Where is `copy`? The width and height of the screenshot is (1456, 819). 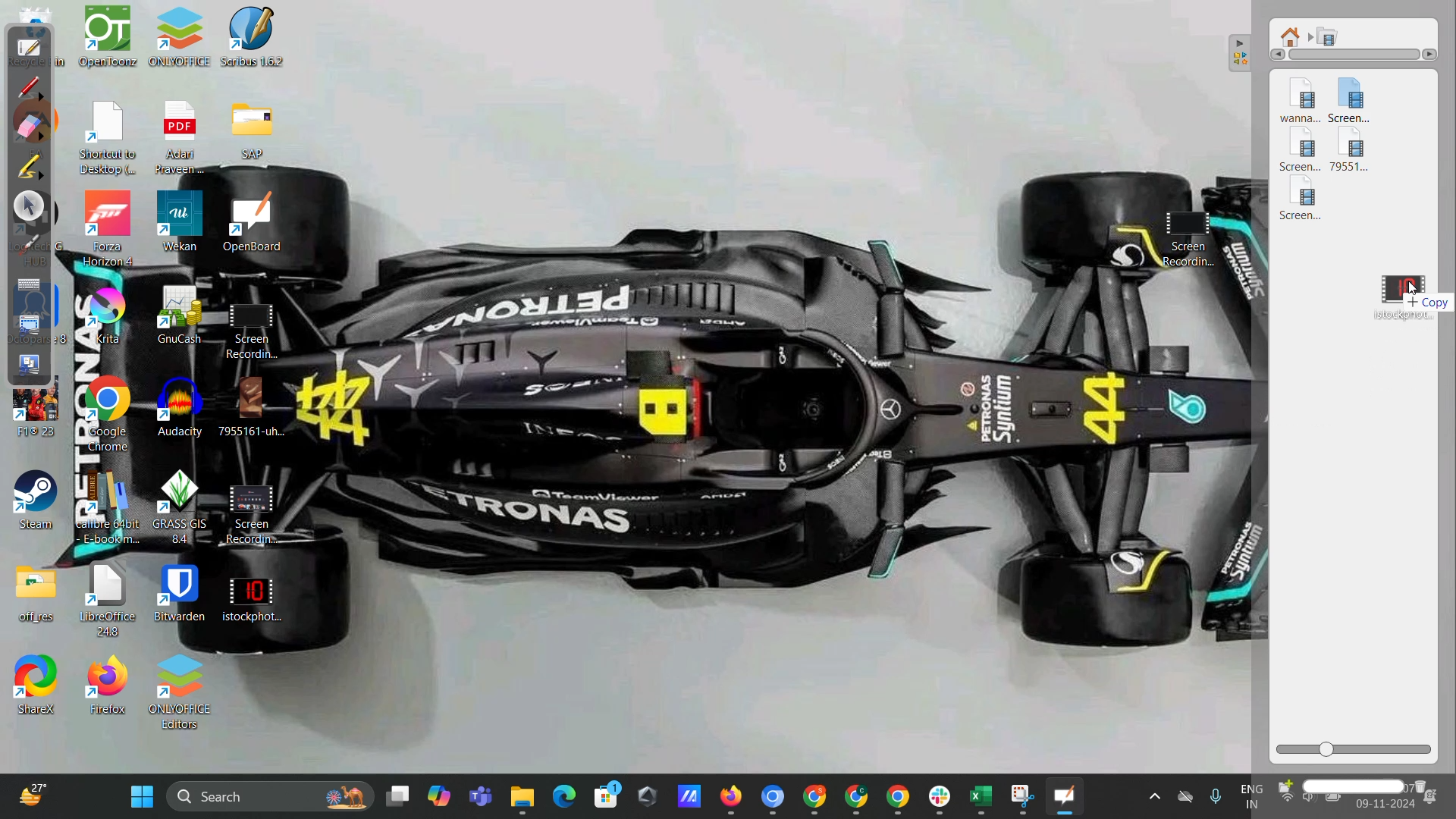 copy is located at coordinates (1434, 306).